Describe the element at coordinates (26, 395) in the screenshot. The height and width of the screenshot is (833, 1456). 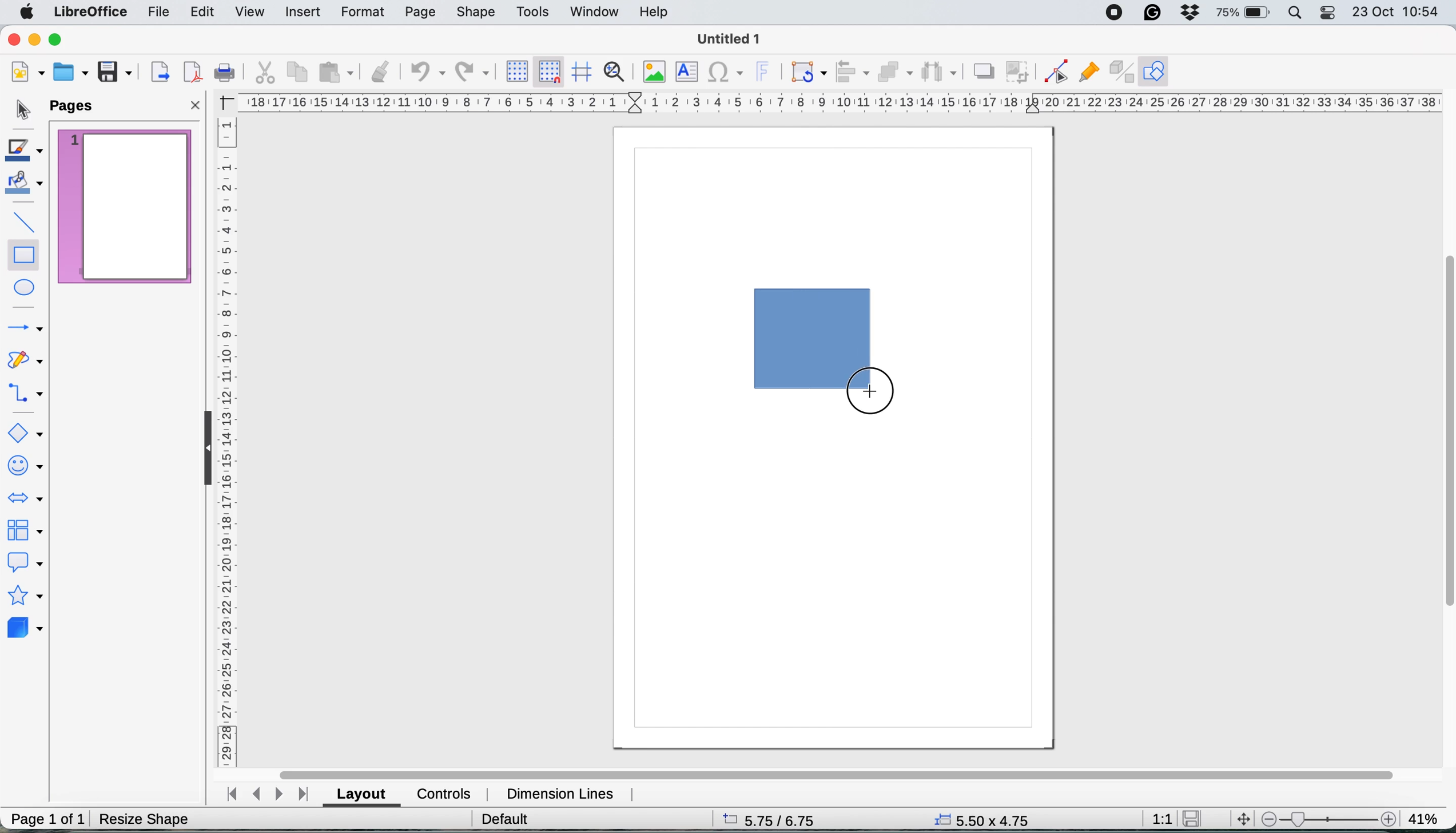
I see `connectors` at that location.